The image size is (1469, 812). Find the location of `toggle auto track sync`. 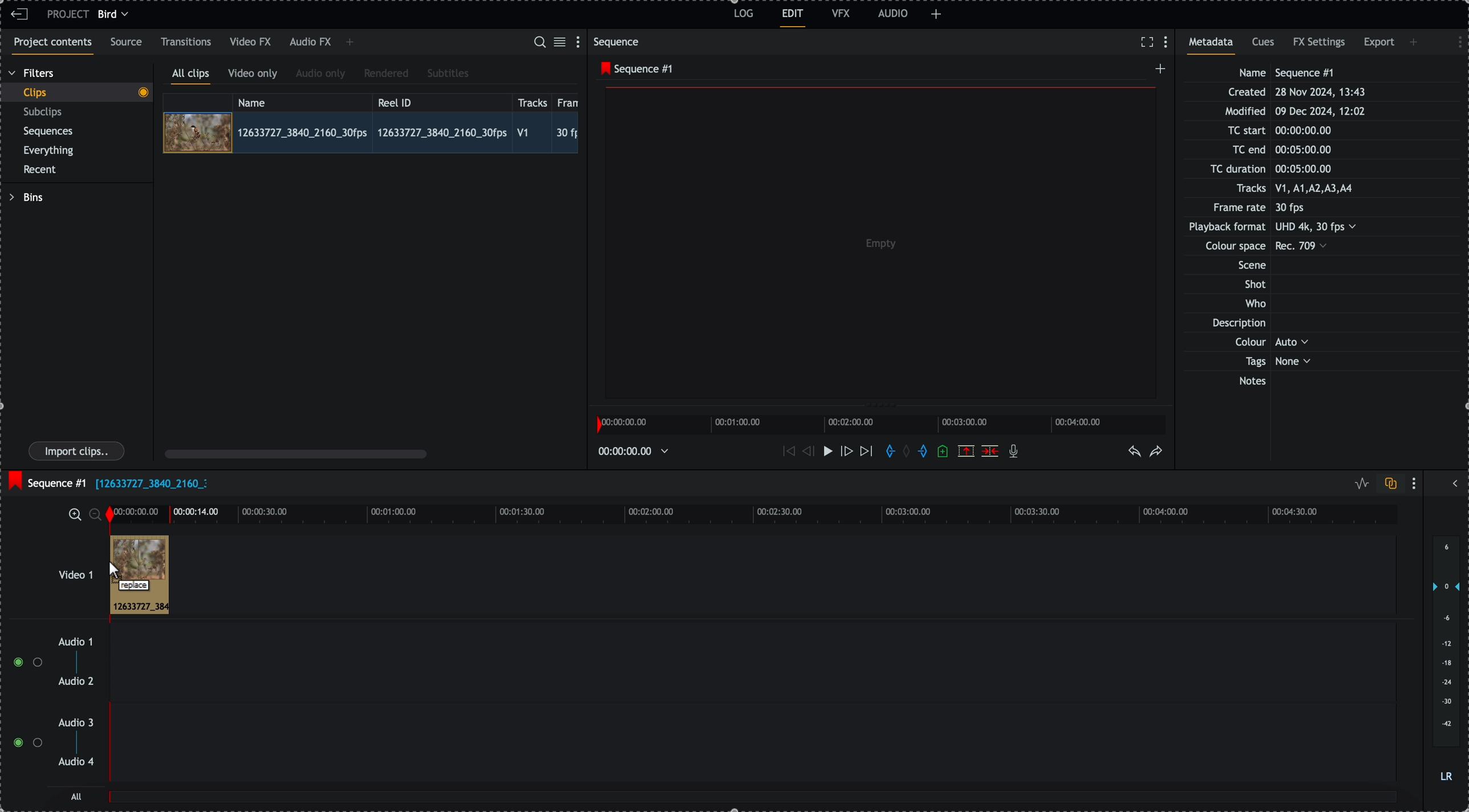

toggle auto track sync is located at coordinates (1388, 484).